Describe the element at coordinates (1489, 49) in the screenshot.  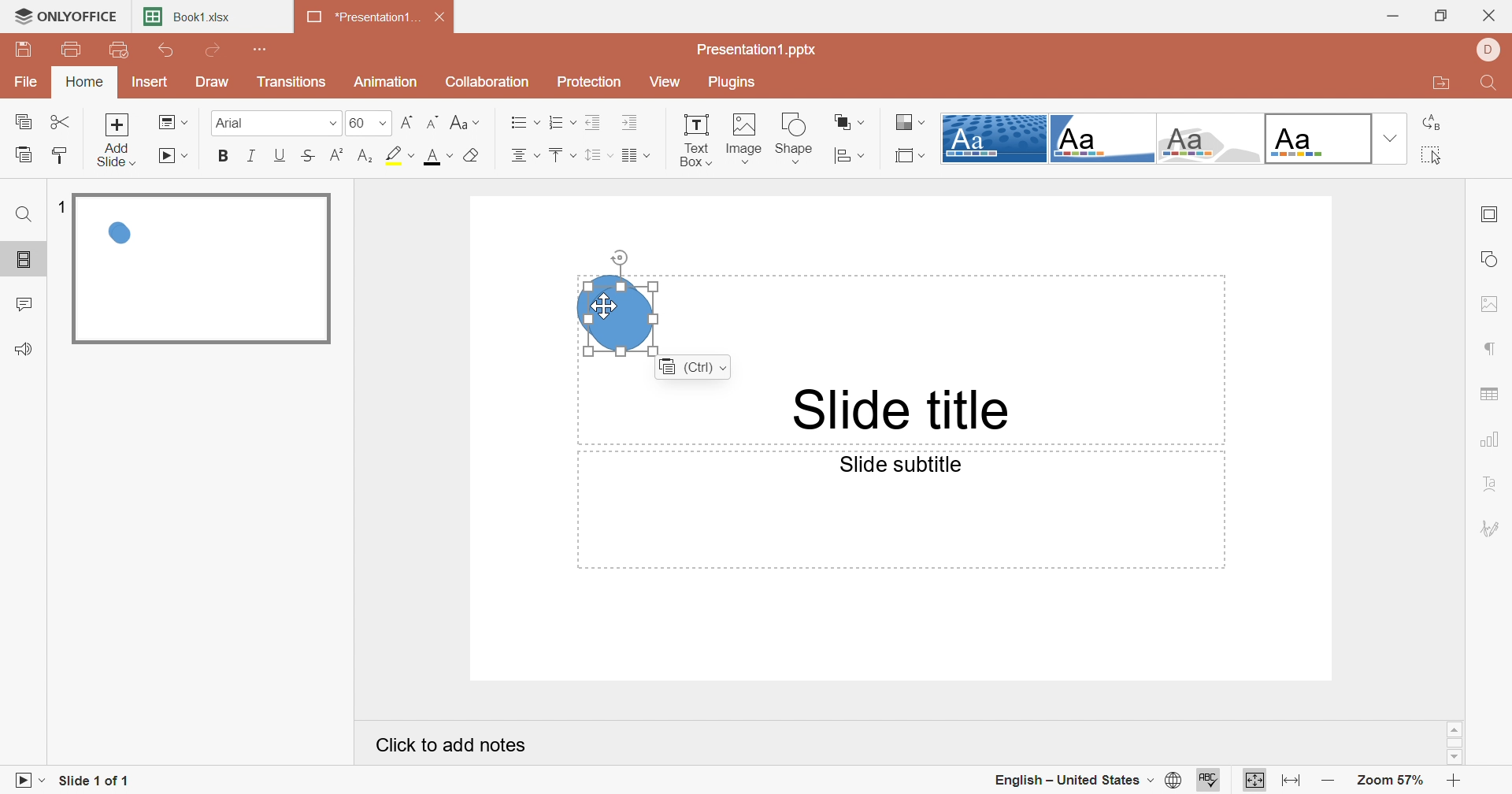
I see `DELL` at that location.